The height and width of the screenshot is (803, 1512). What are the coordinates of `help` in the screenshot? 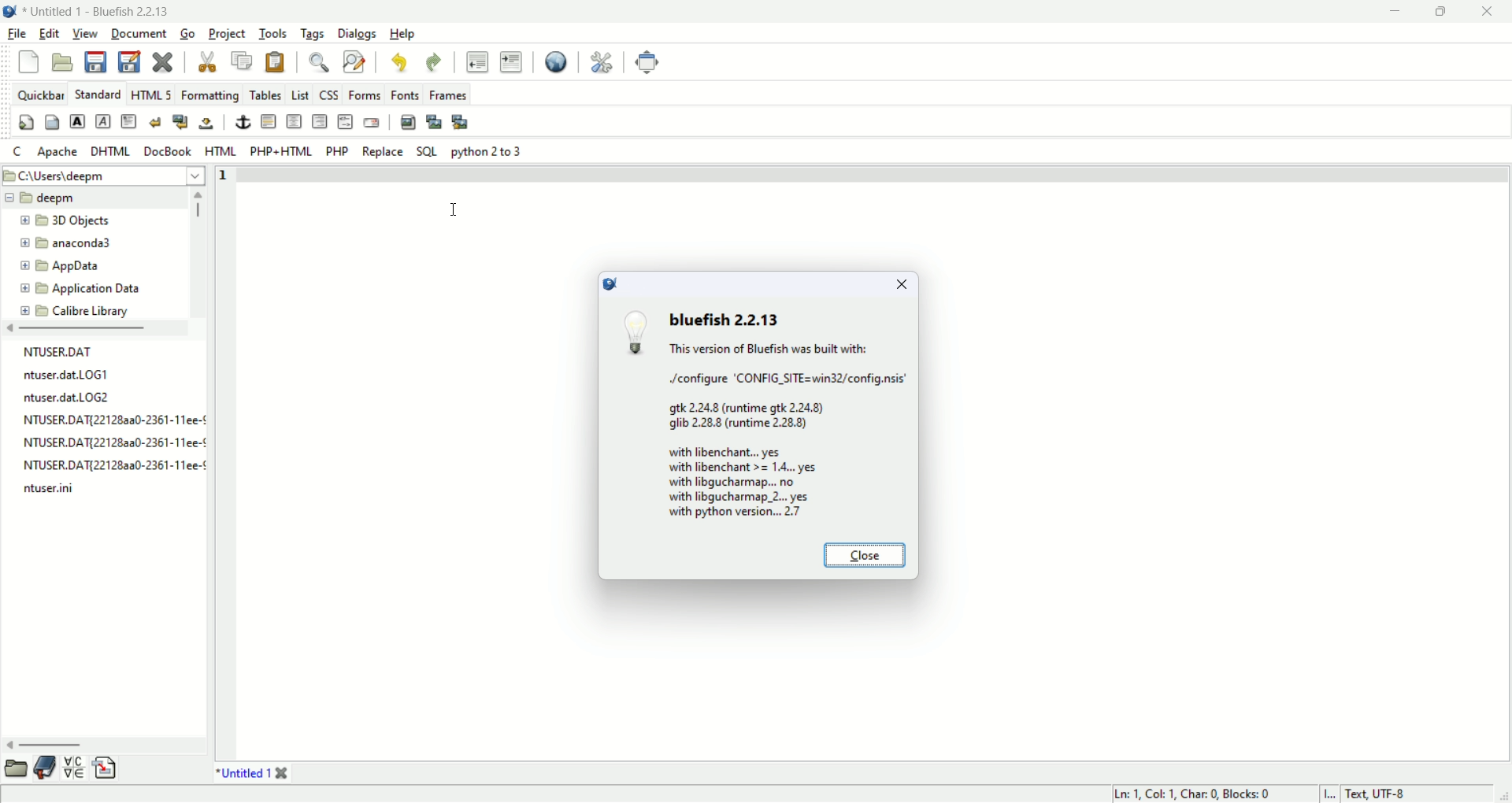 It's located at (405, 32).